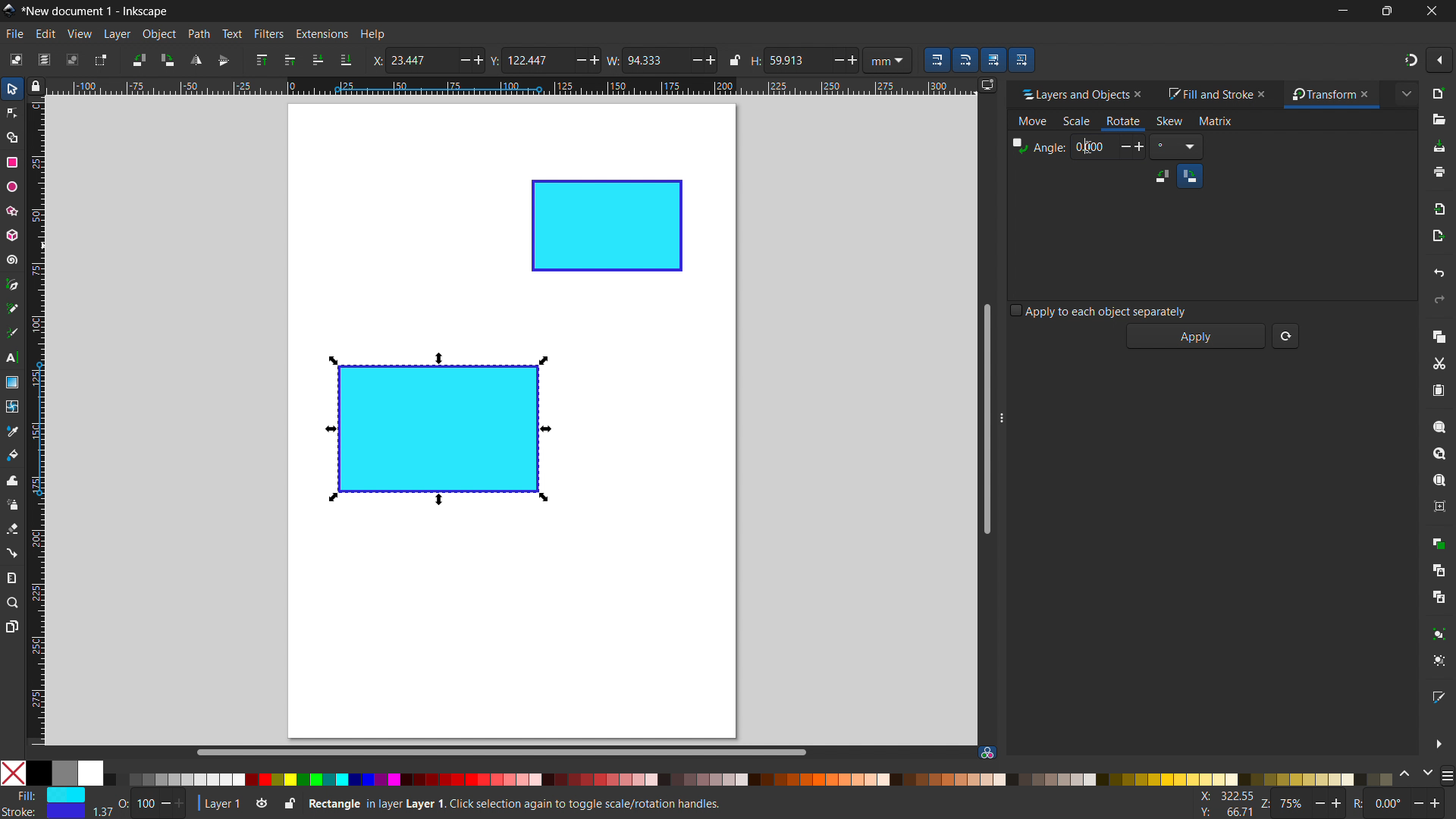 The height and width of the screenshot is (819, 1456). Describe the element at coordinates (965, 60) in the screenshot. I see `when scaling rectangle, scale the radii of the rounded corners` at that location.